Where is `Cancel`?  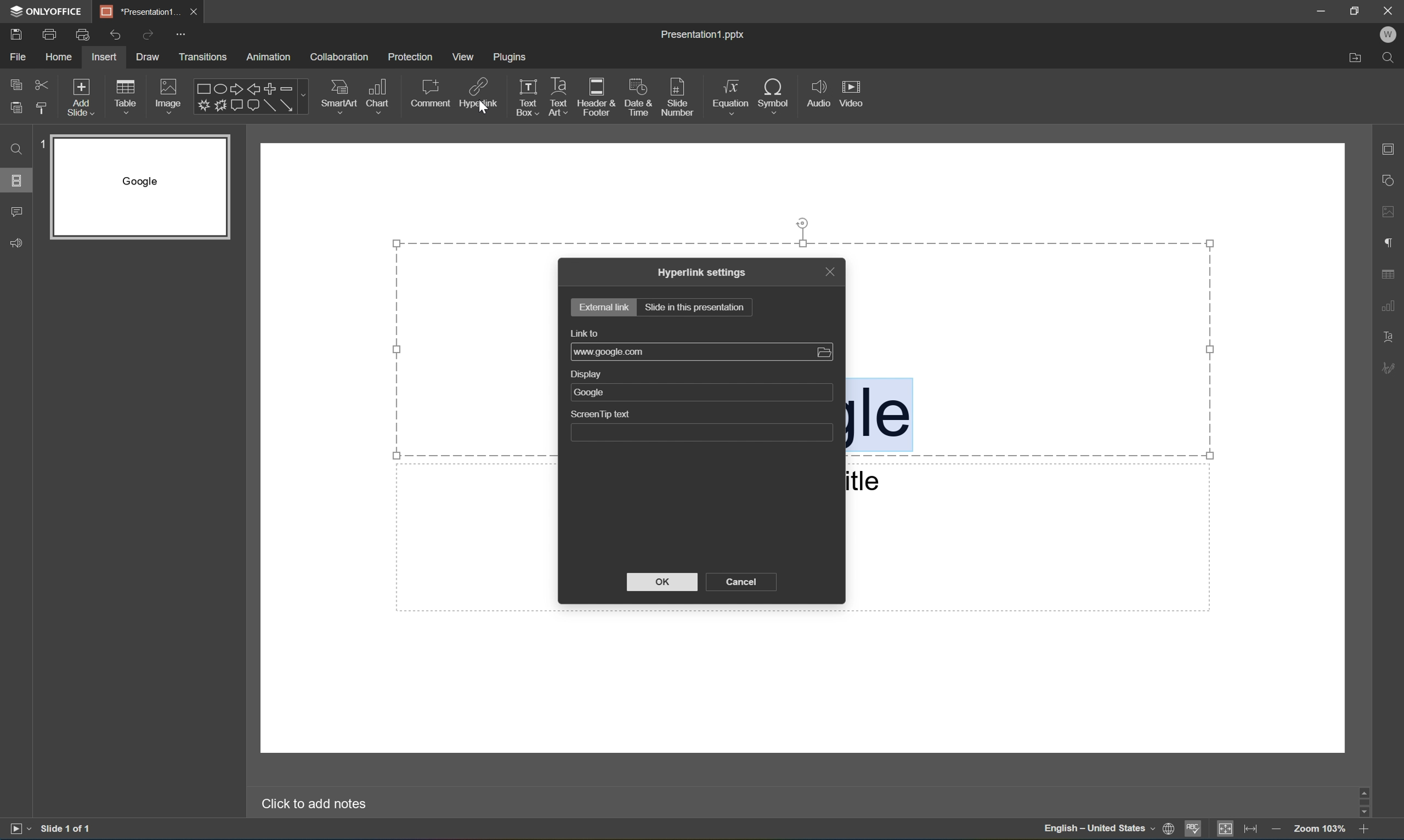 Cancel is located at coordinates (742, 583).